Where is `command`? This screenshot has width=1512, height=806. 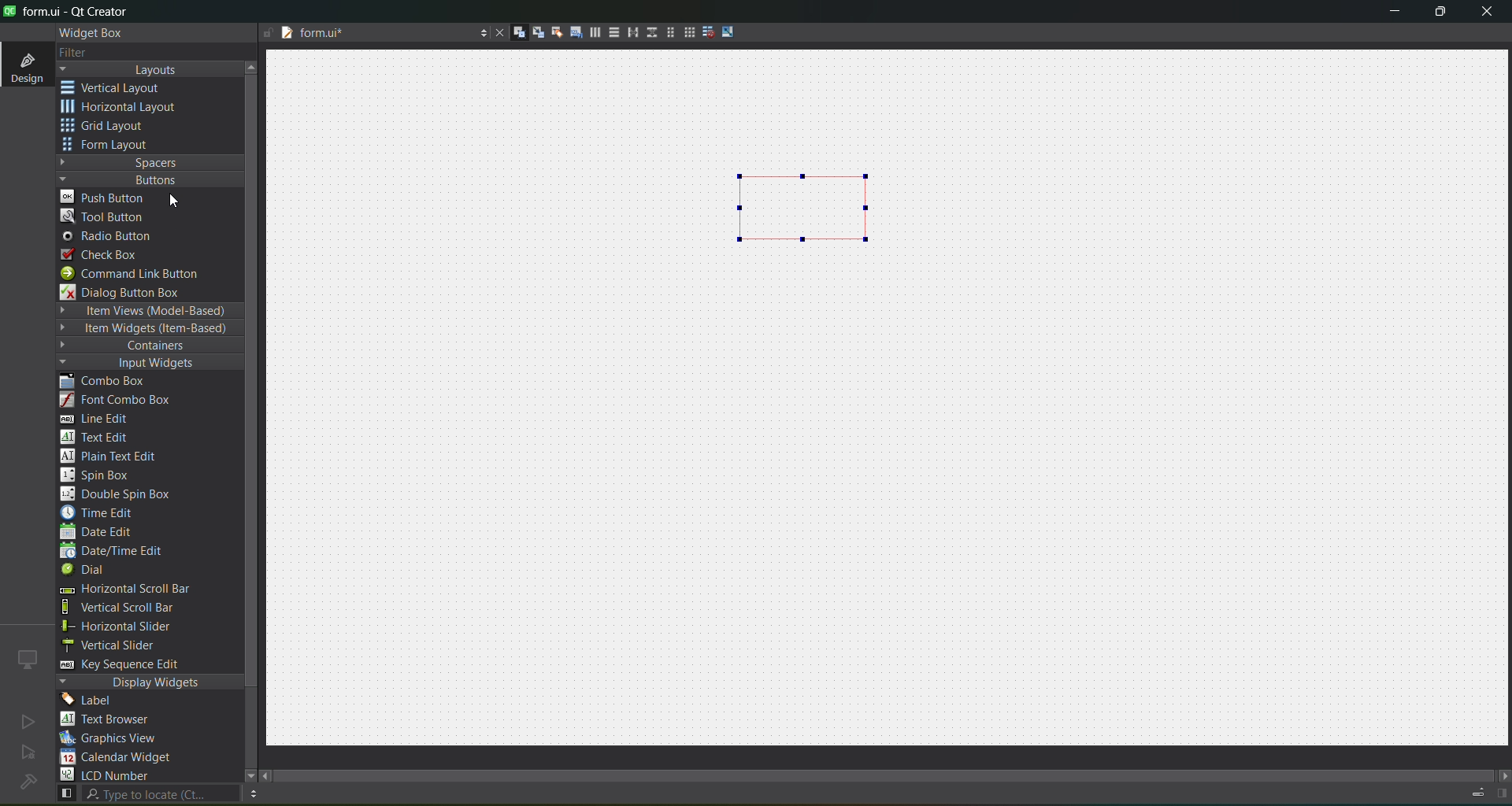 command is located at coordinates (140, 275).